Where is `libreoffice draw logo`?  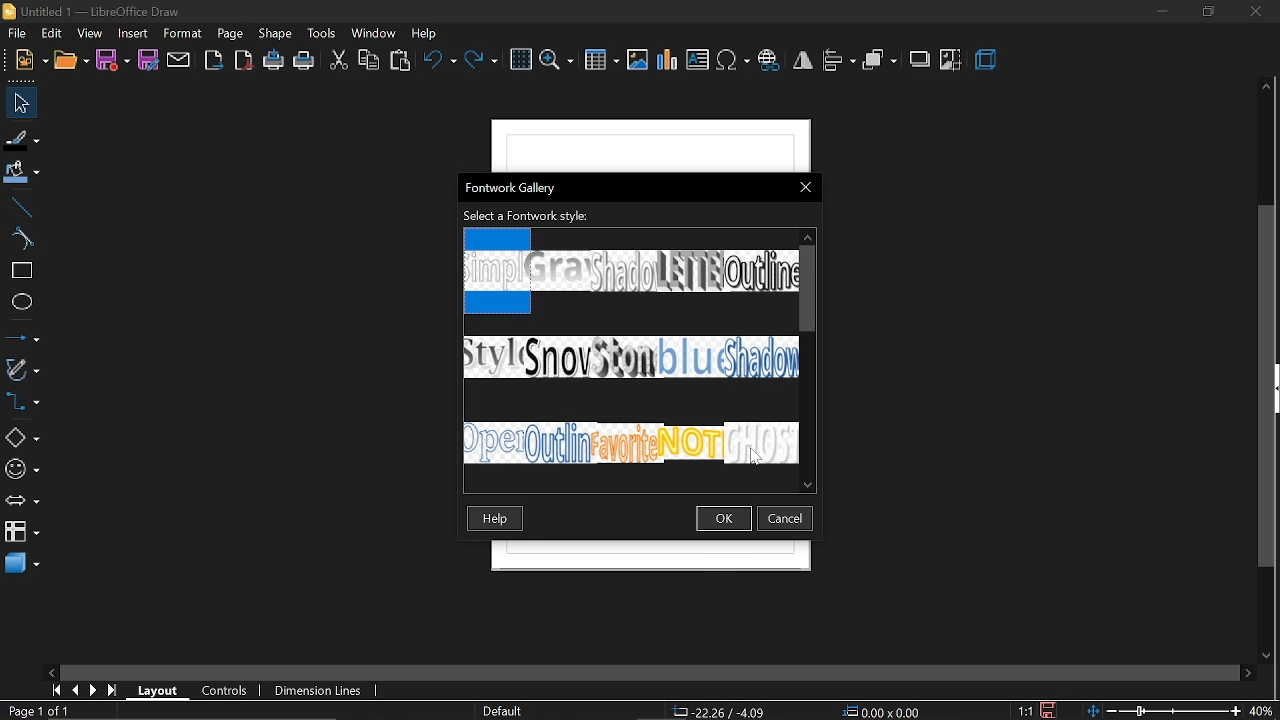
libreoffice draw logo is located at coordinates (11, 9).